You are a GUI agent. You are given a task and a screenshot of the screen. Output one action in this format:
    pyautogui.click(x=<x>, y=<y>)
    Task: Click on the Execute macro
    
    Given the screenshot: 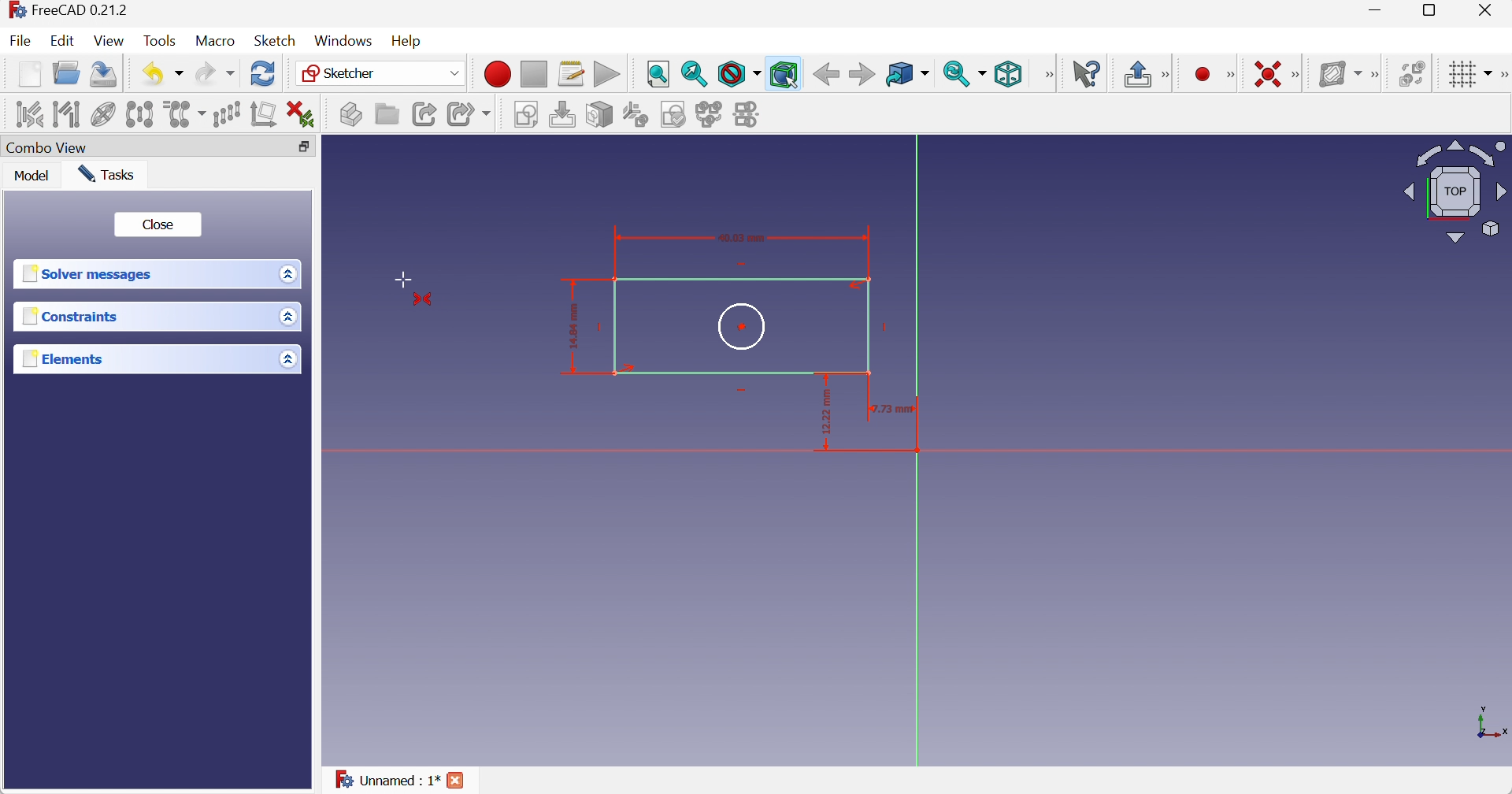 What is the action you would take?
    pyautogui.click(x=606, y=74)
    